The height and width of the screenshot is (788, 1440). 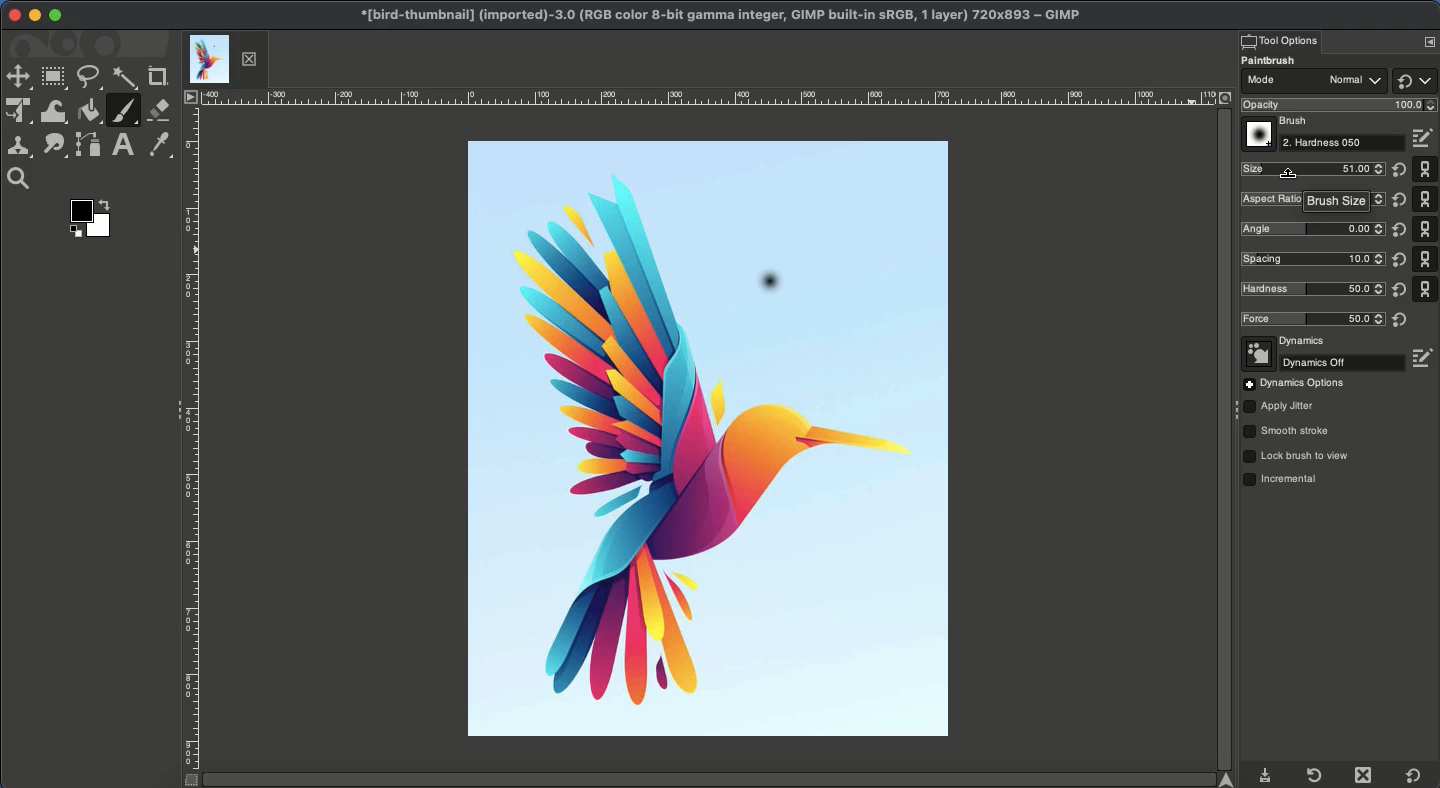 What do you see at coordinates (19, 110) in the screenshot?
I see `Unified transformation` at bounding box center [19, 110].